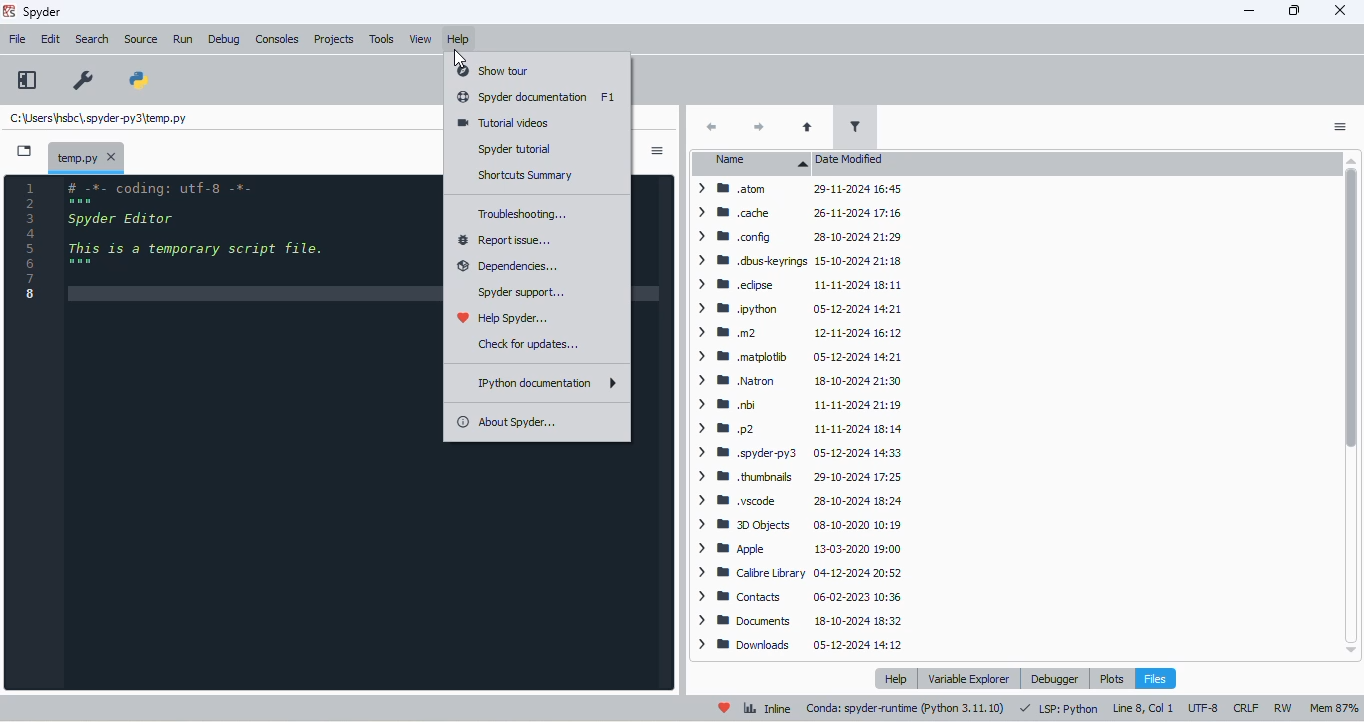  What do you see at coordinates (799, 453) in the screenshot?
I see `> WB spyder-py3 05-12-2024 14:33` at bounding box center [799, 453].